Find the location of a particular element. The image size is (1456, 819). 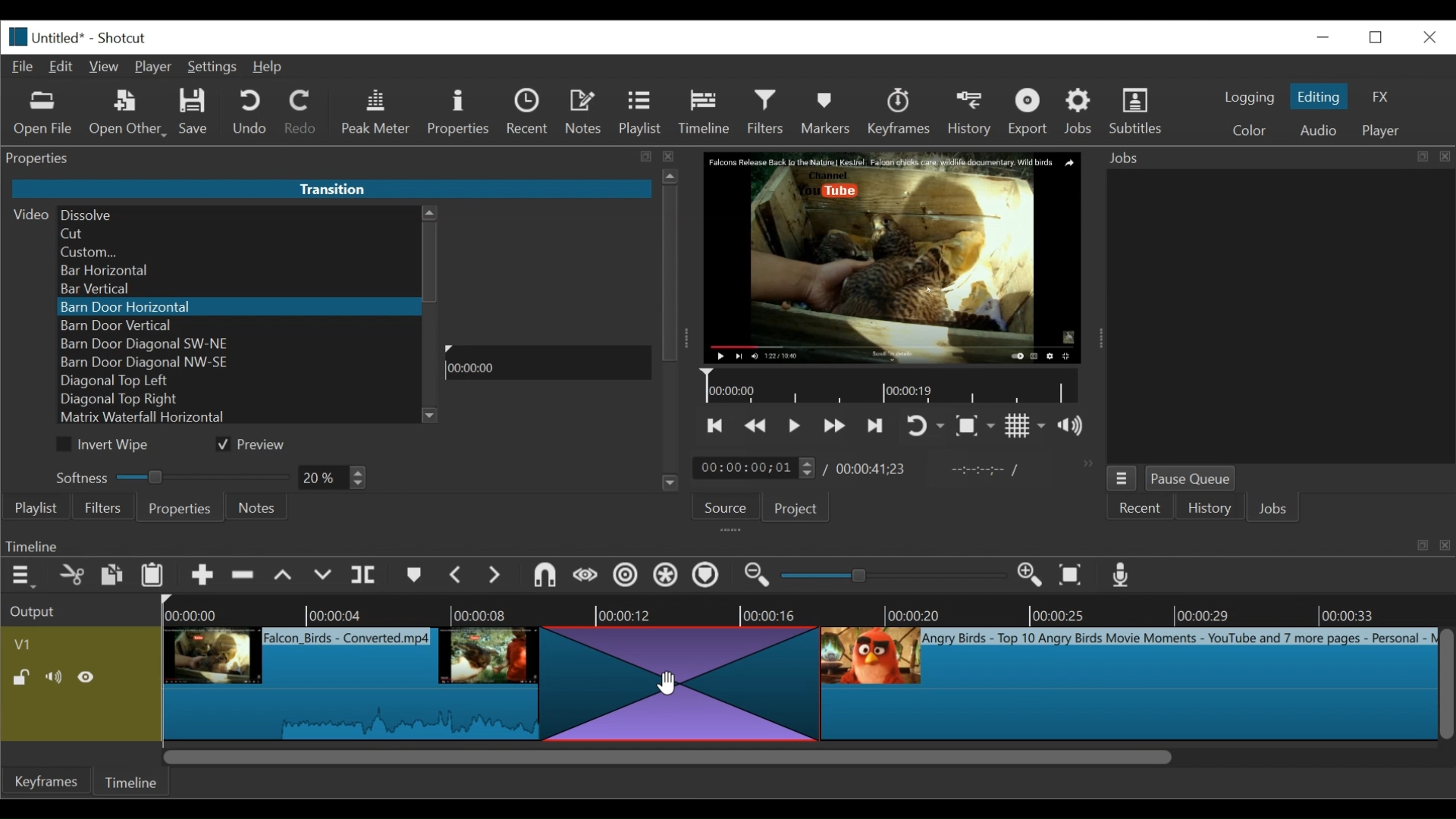

Properties is located at coordinates (460, 113).